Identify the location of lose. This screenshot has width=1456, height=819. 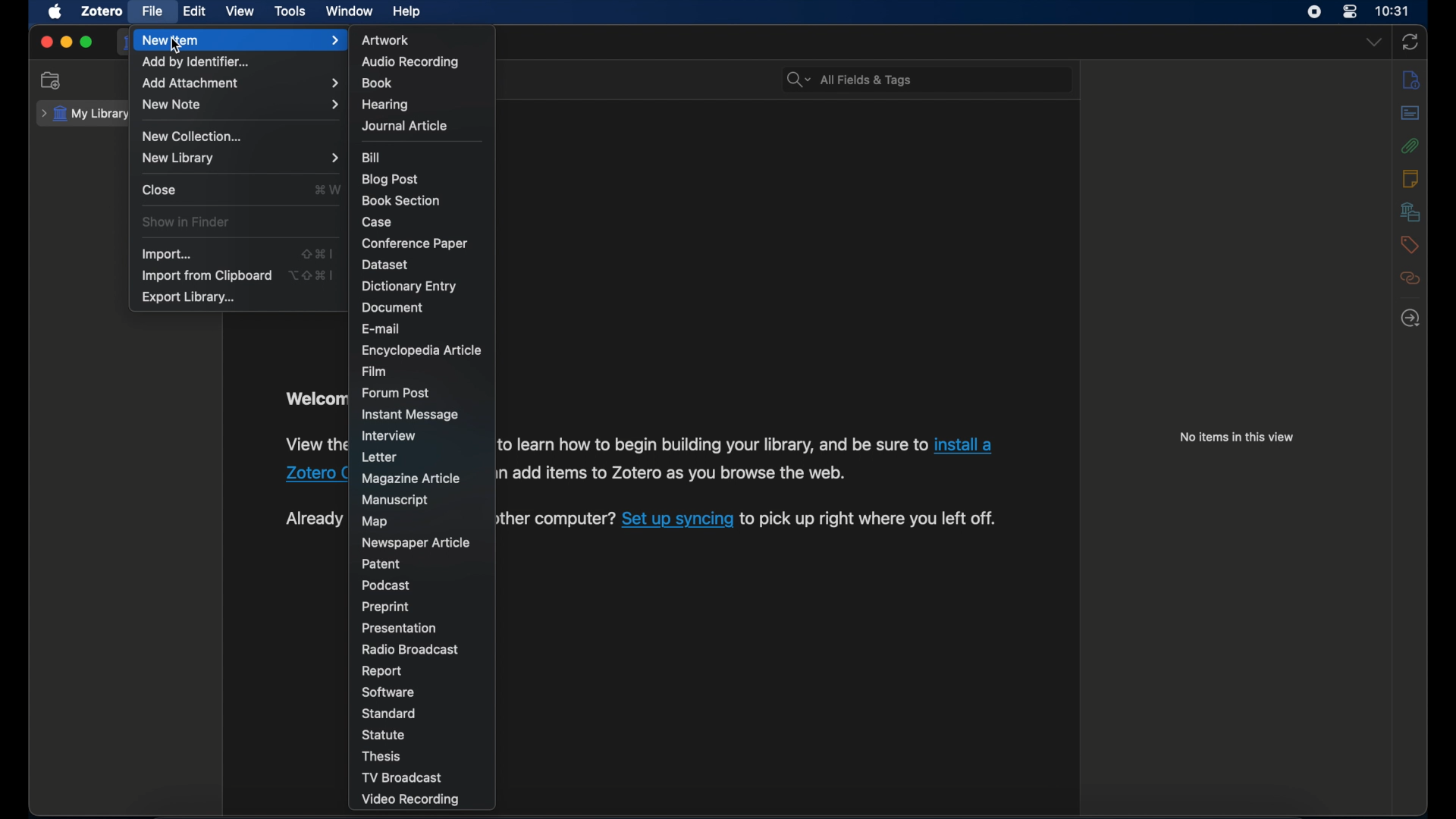
(158, 189).